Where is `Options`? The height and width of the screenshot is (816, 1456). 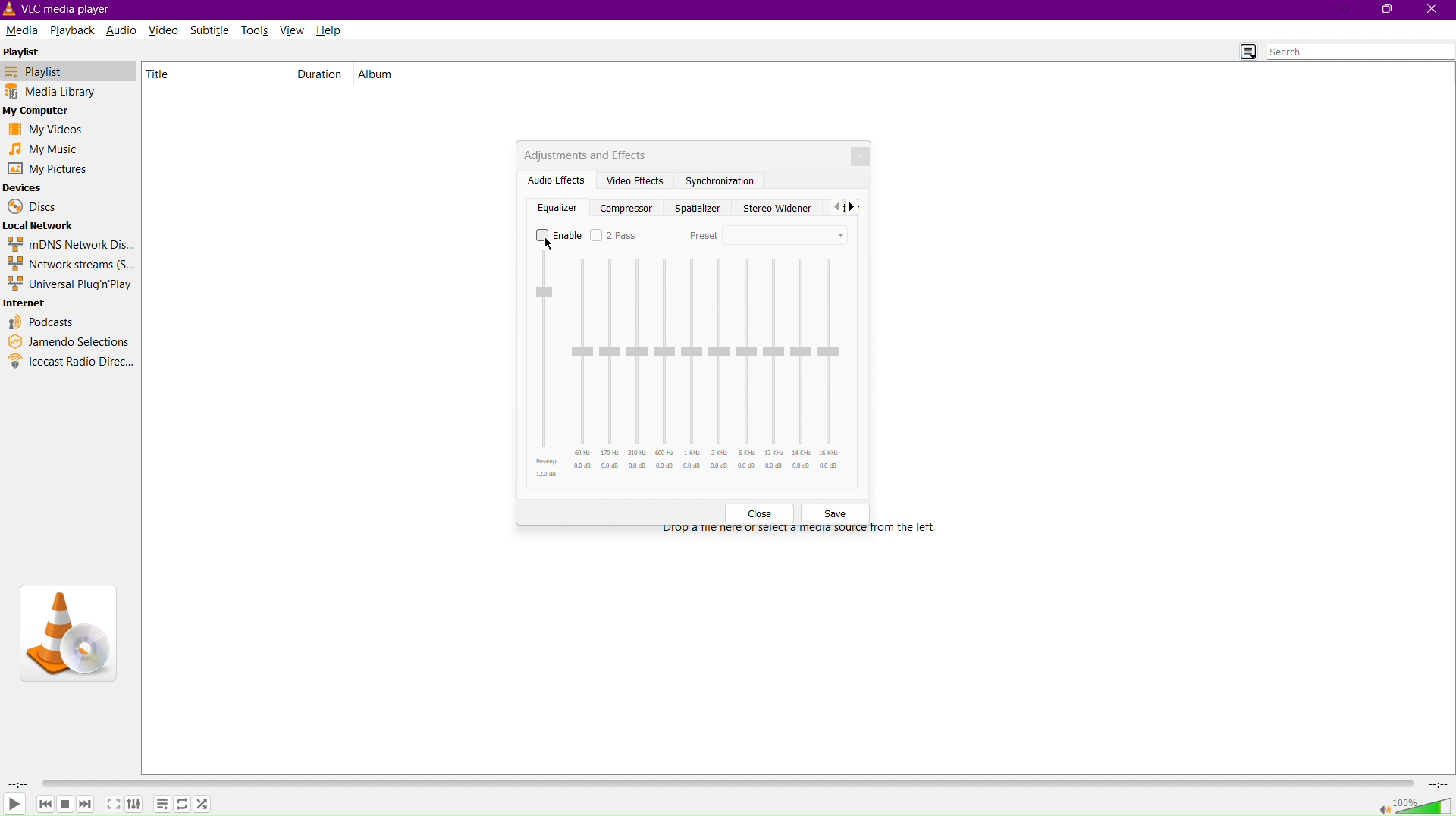 Options is located at coordinates (161, 803).